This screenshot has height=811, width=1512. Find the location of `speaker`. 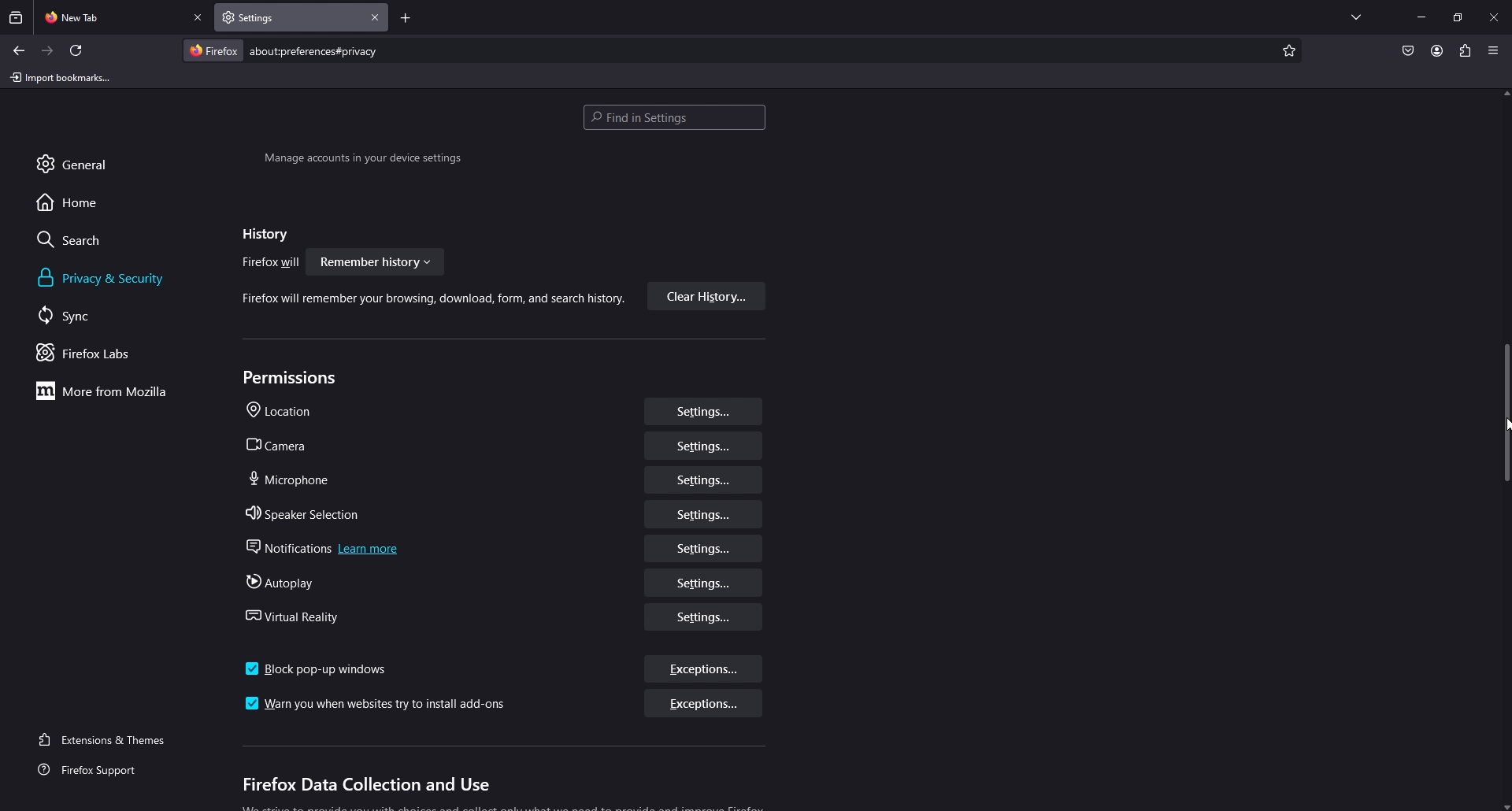

speaker is located at coordinates (307, 514).